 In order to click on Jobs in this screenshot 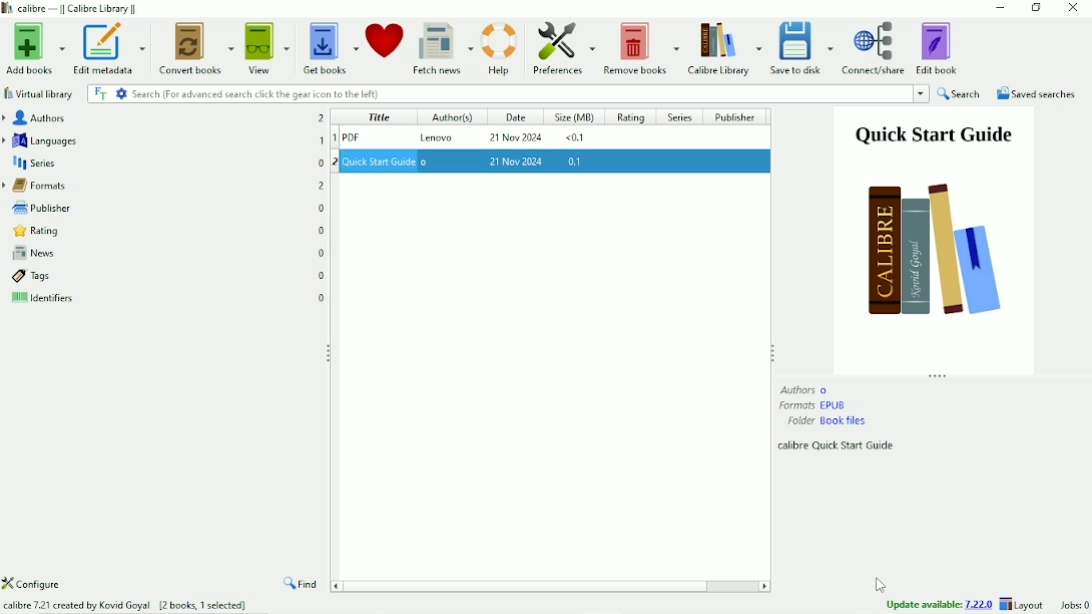, I will do `click(1072, 605)`.